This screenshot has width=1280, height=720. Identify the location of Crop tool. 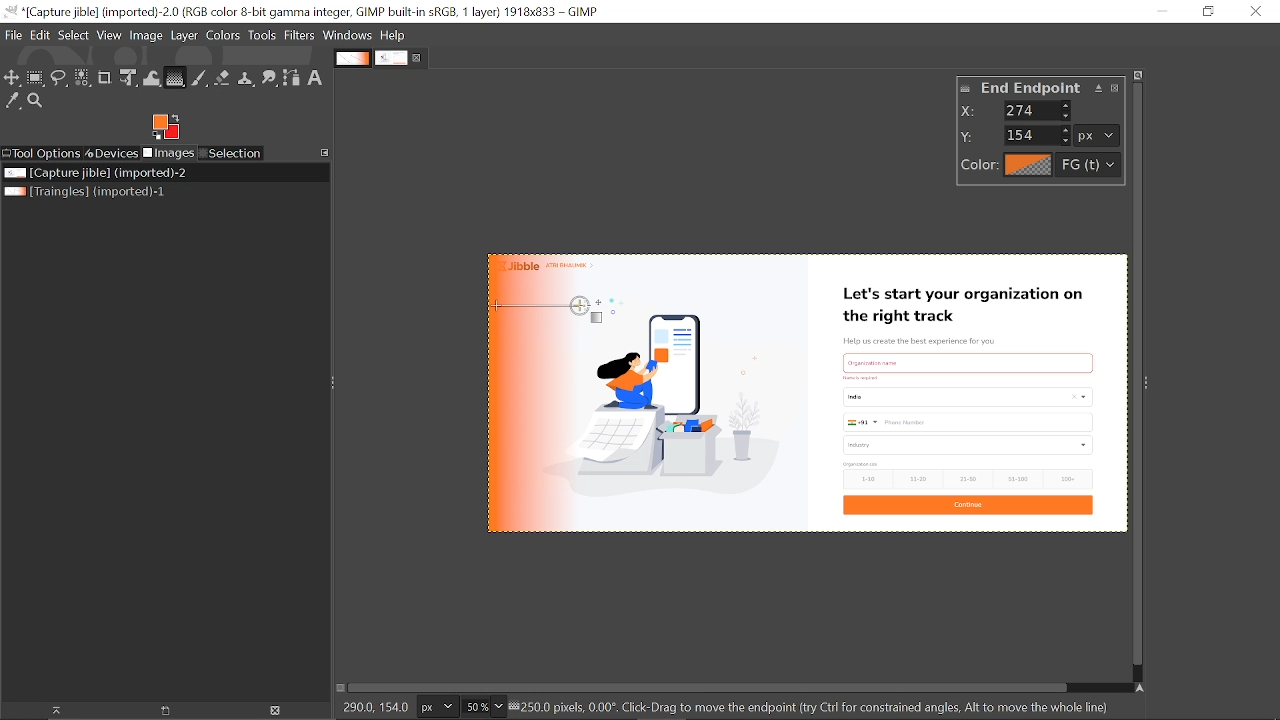
(106, 77).